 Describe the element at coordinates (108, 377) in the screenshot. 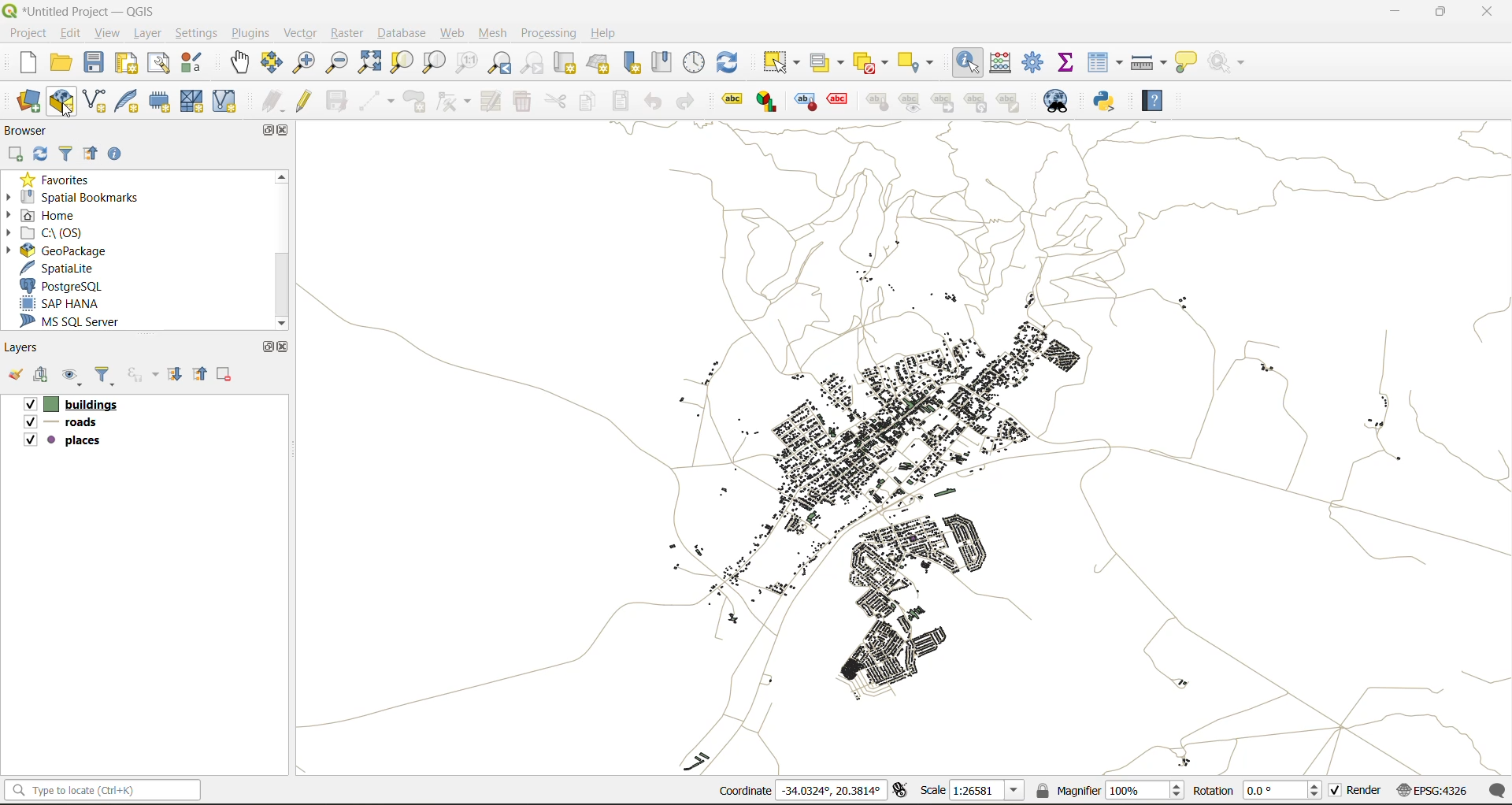

I see `filter` at that location.